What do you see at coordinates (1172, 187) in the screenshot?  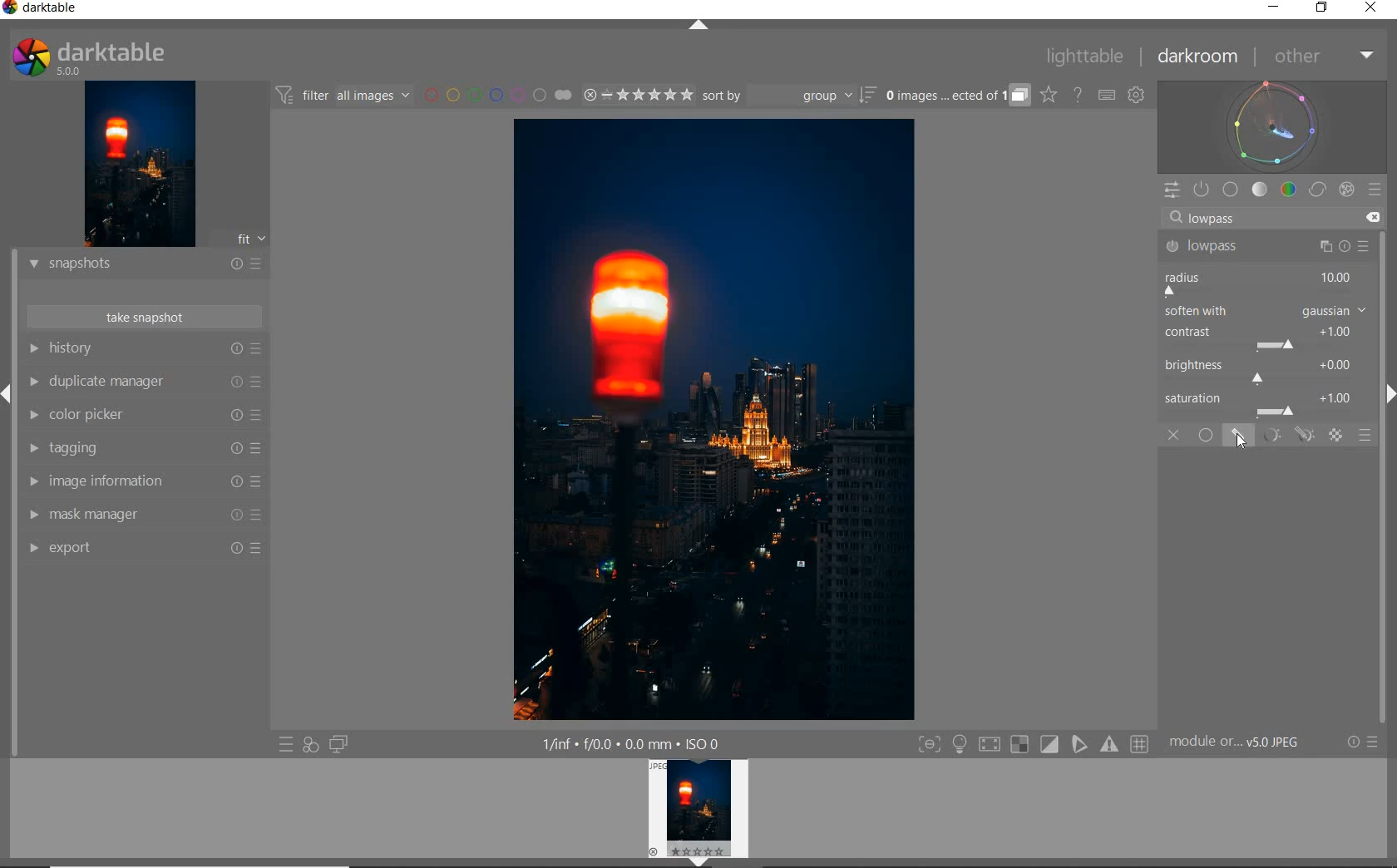 I see `QUICK ACCESS PANEL` at bounding box center [1172, 187].